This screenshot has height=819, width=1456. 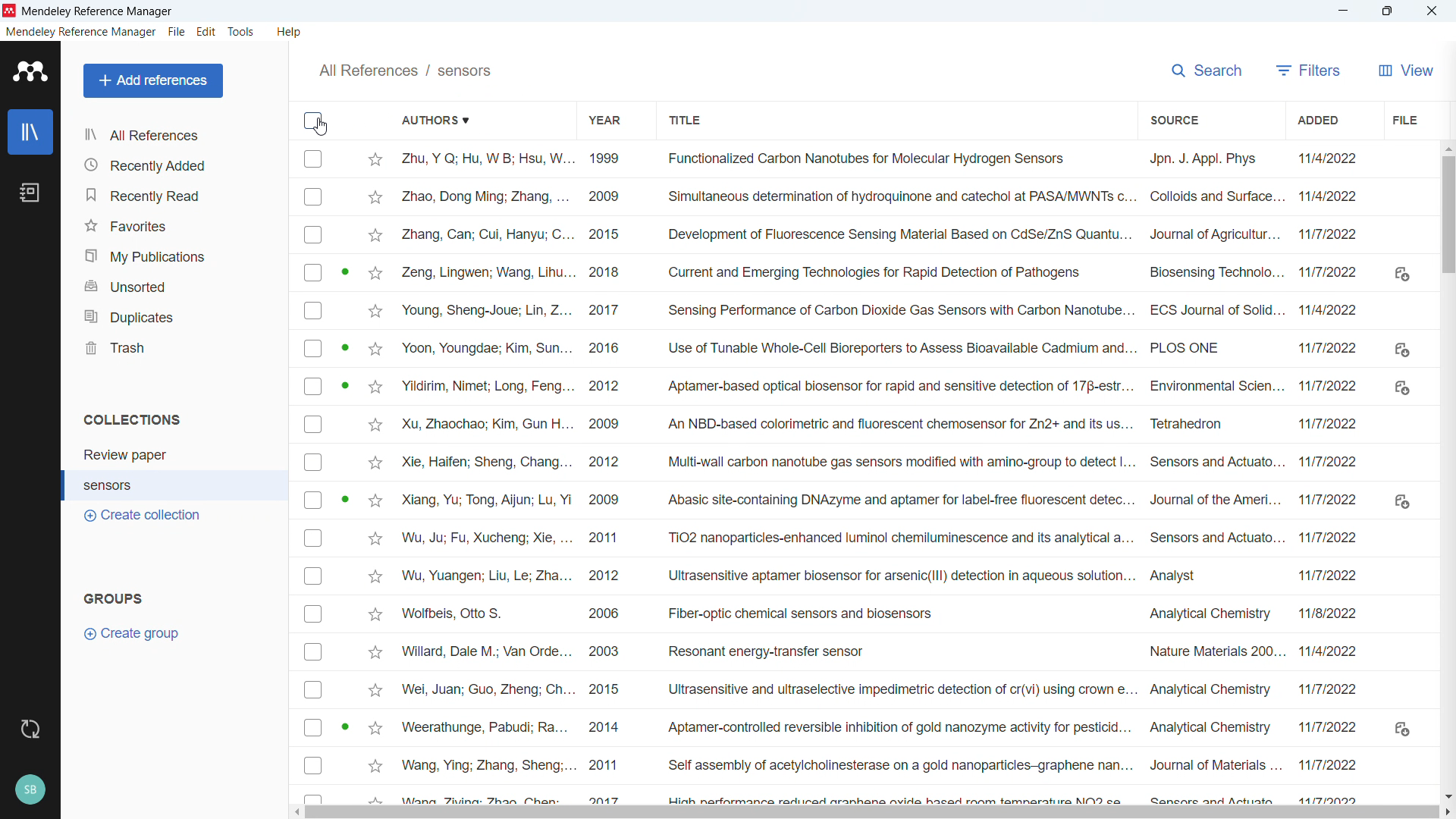 I want to click on mendeley reference manager, so click(x=80, y=32).